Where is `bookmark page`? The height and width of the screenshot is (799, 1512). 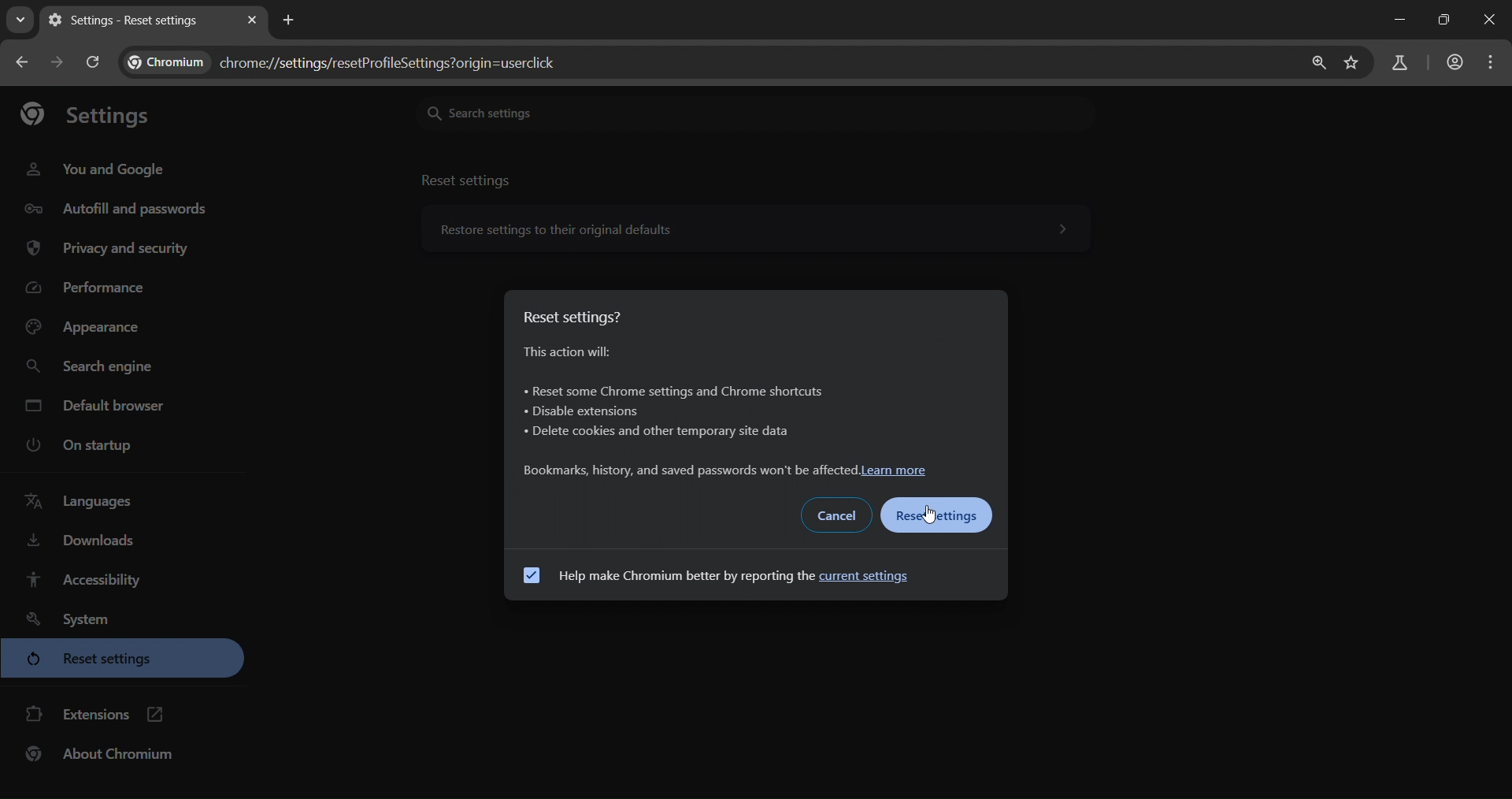
bookmark page is located at coordinates (1353, 65).